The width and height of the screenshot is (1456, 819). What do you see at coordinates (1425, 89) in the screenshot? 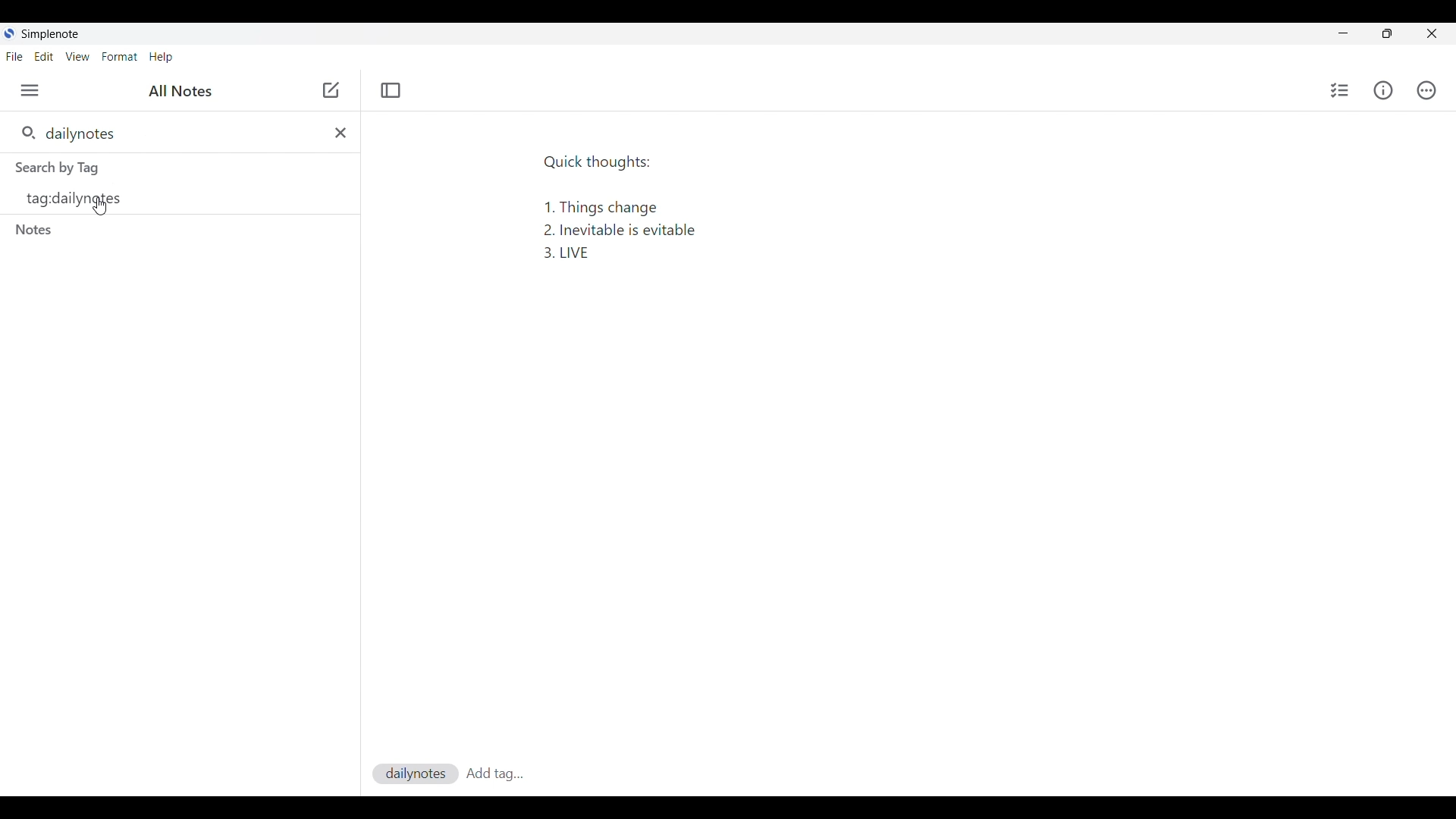
I see `Actions` at bounding box center [1425, 89].